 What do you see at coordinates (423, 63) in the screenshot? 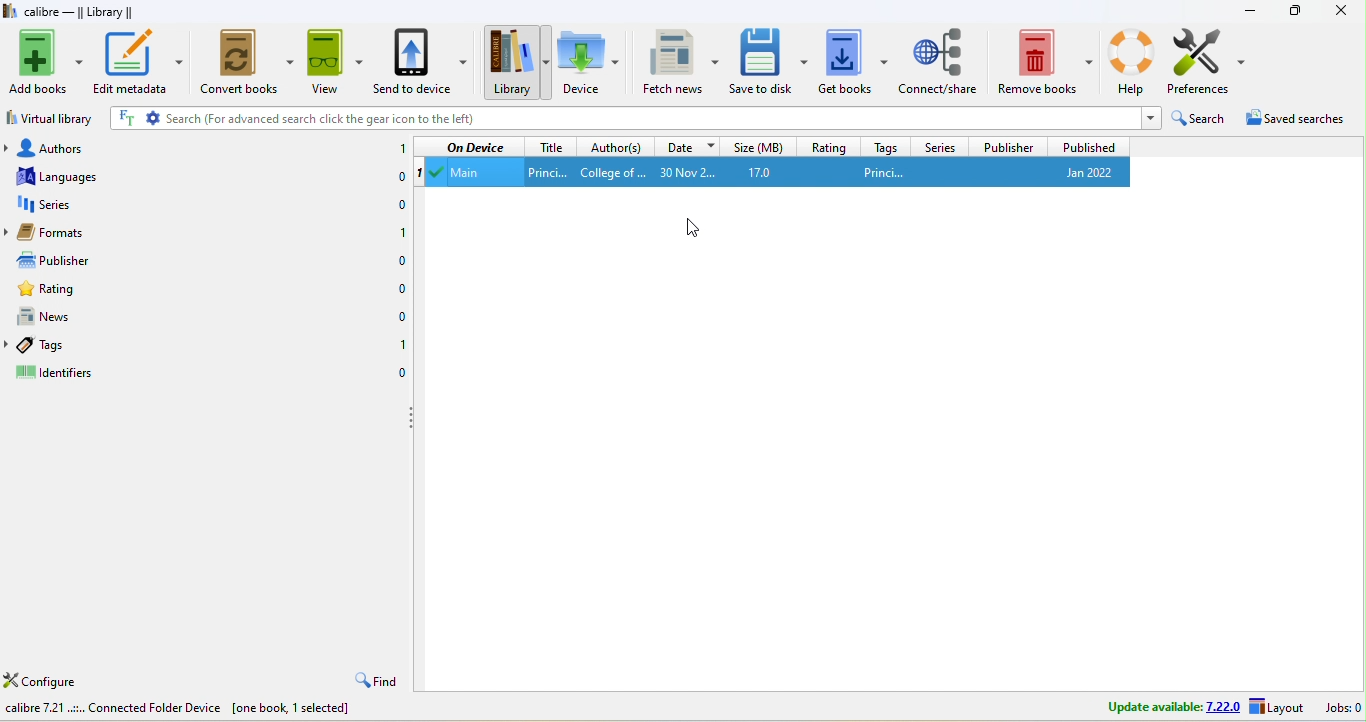
I see `send to device` at bounding box center [423, 63].